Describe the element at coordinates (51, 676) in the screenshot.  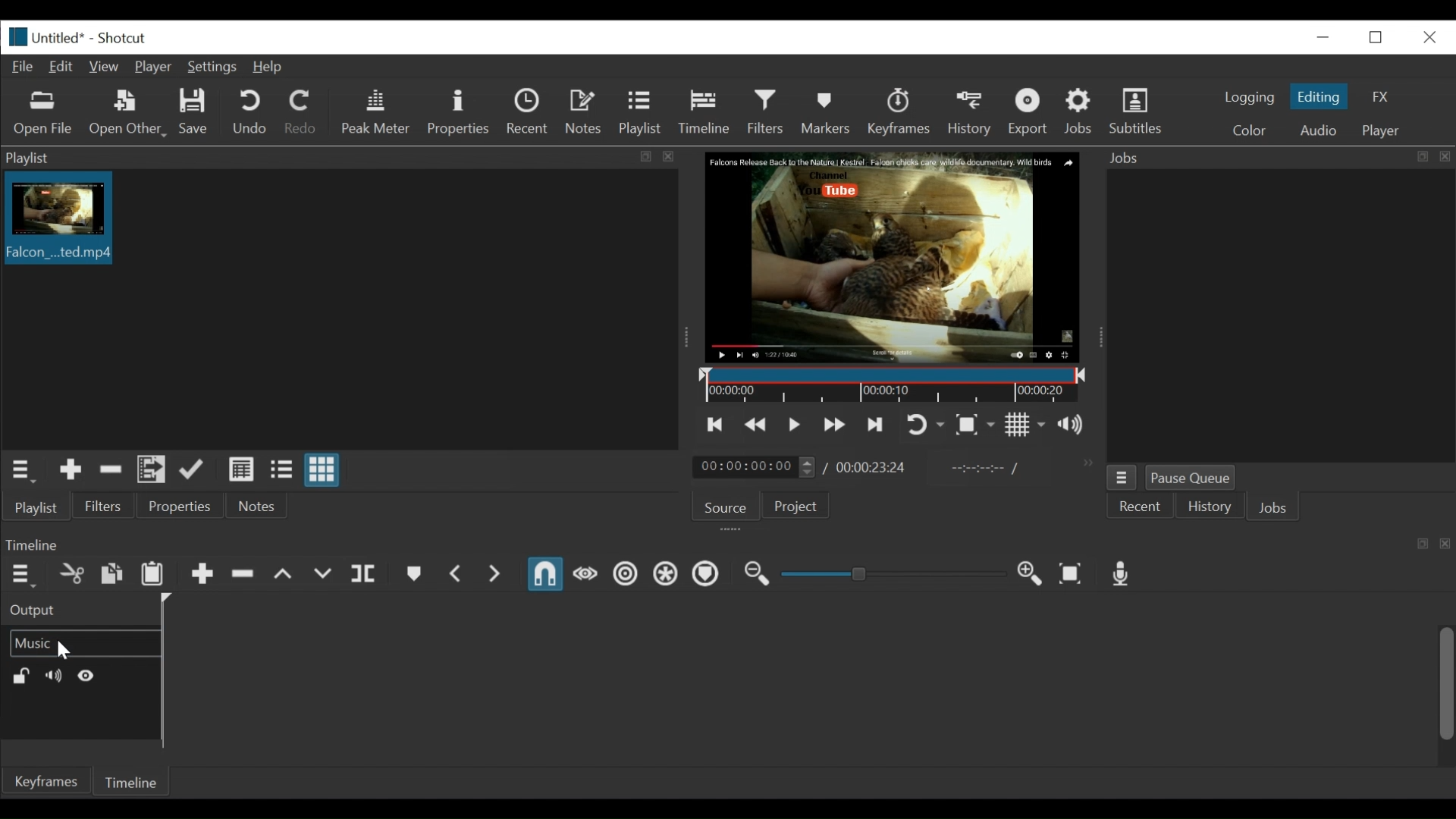
I see `Mute ` at that location.